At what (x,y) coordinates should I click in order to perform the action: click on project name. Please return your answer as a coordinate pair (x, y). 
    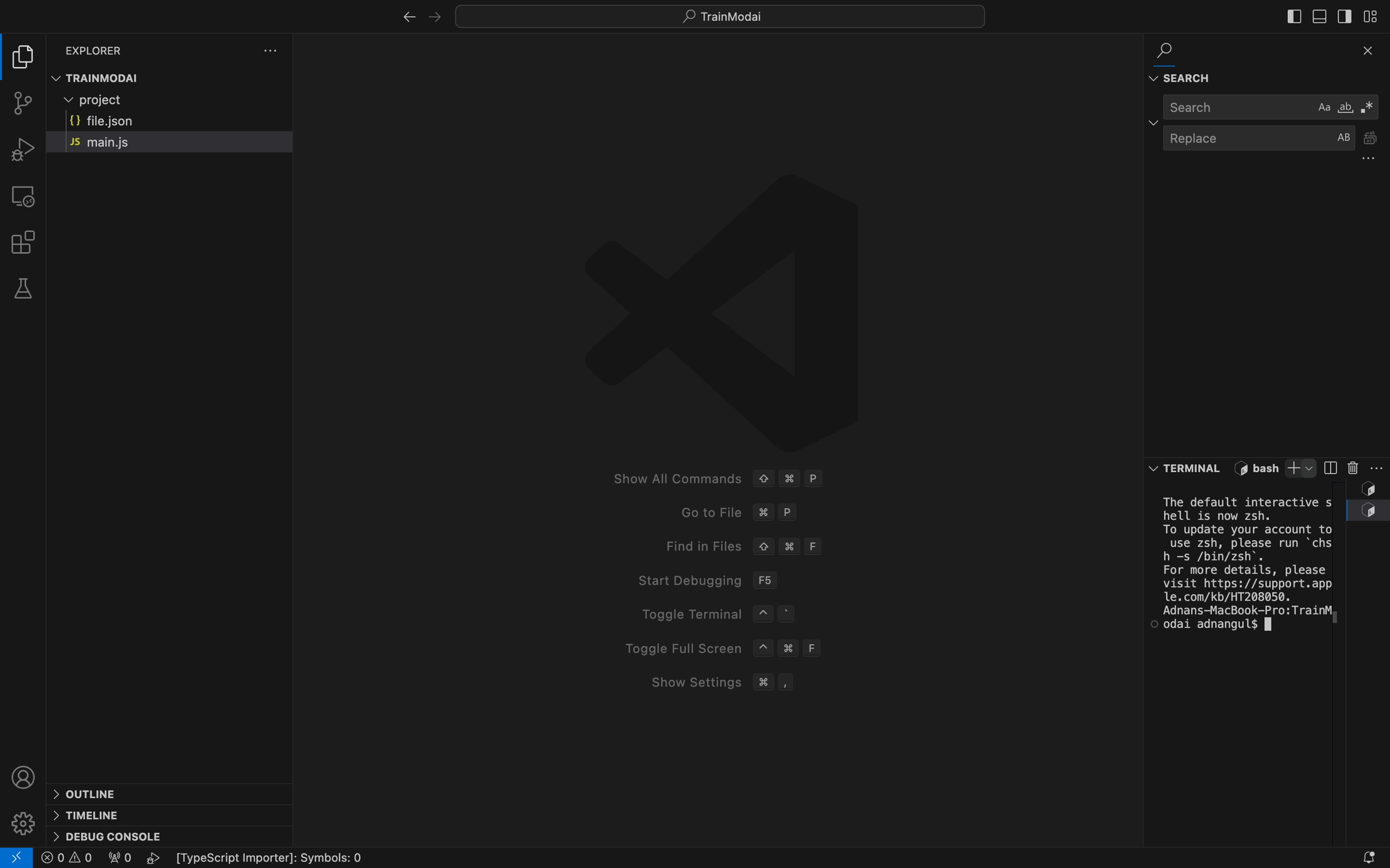
    Looking at the image, I should click on (719, 16).